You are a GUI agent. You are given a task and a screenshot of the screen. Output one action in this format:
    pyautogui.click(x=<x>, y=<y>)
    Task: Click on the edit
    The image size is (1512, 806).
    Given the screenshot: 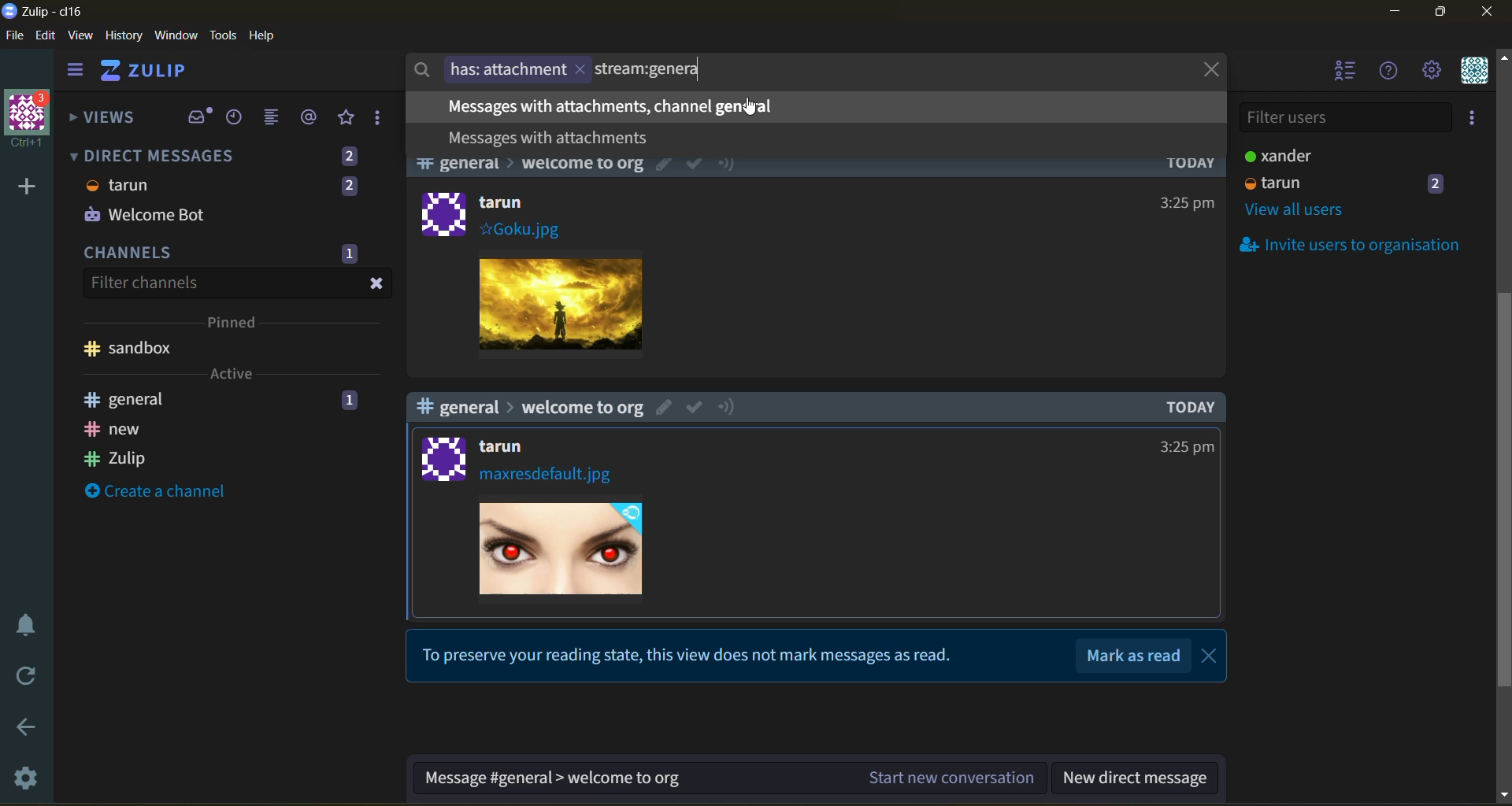 What is the action you would take?
    pyautogui.click(x=665, y=406)
    